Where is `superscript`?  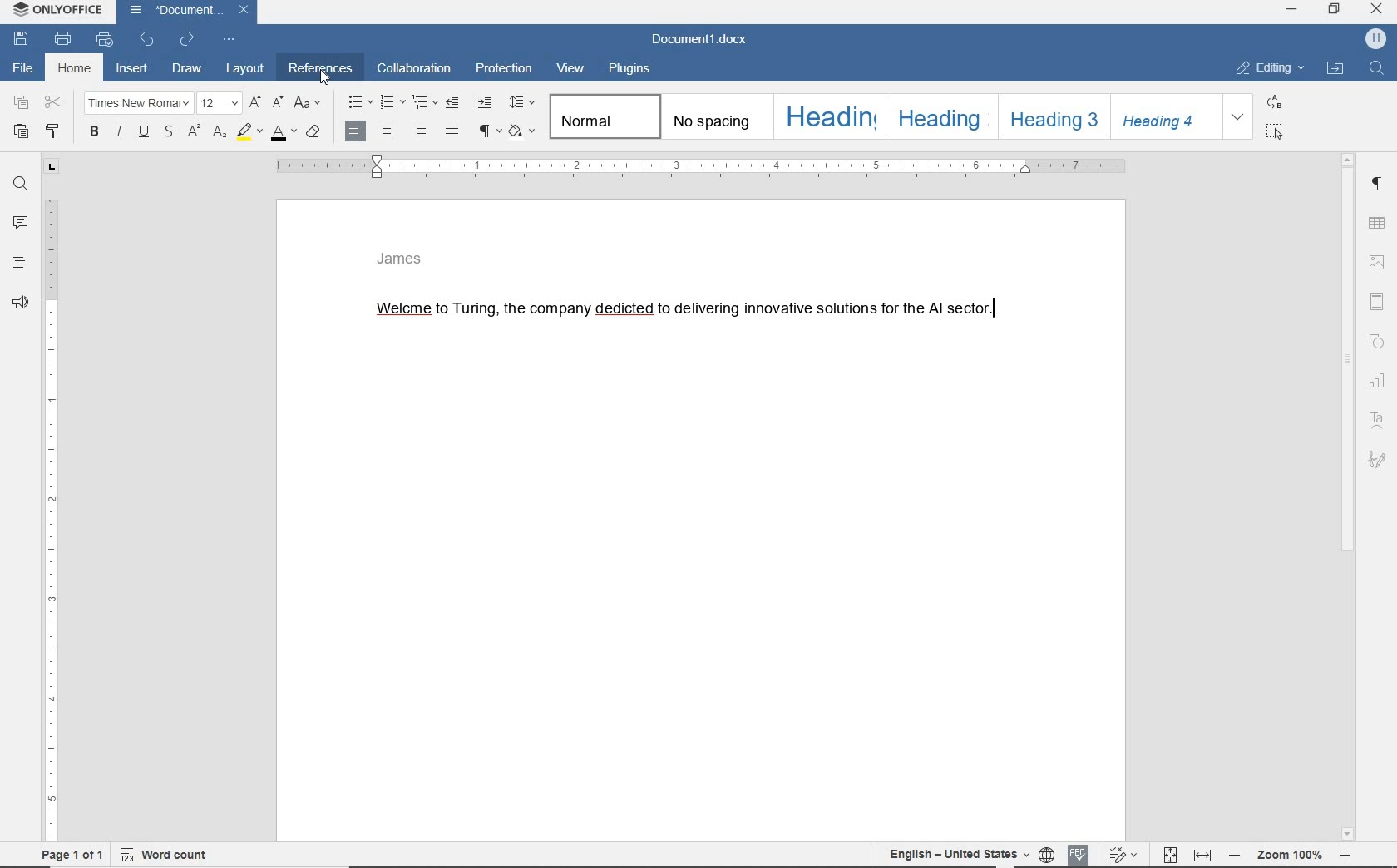 superscript is located at coordinates (195, 131).